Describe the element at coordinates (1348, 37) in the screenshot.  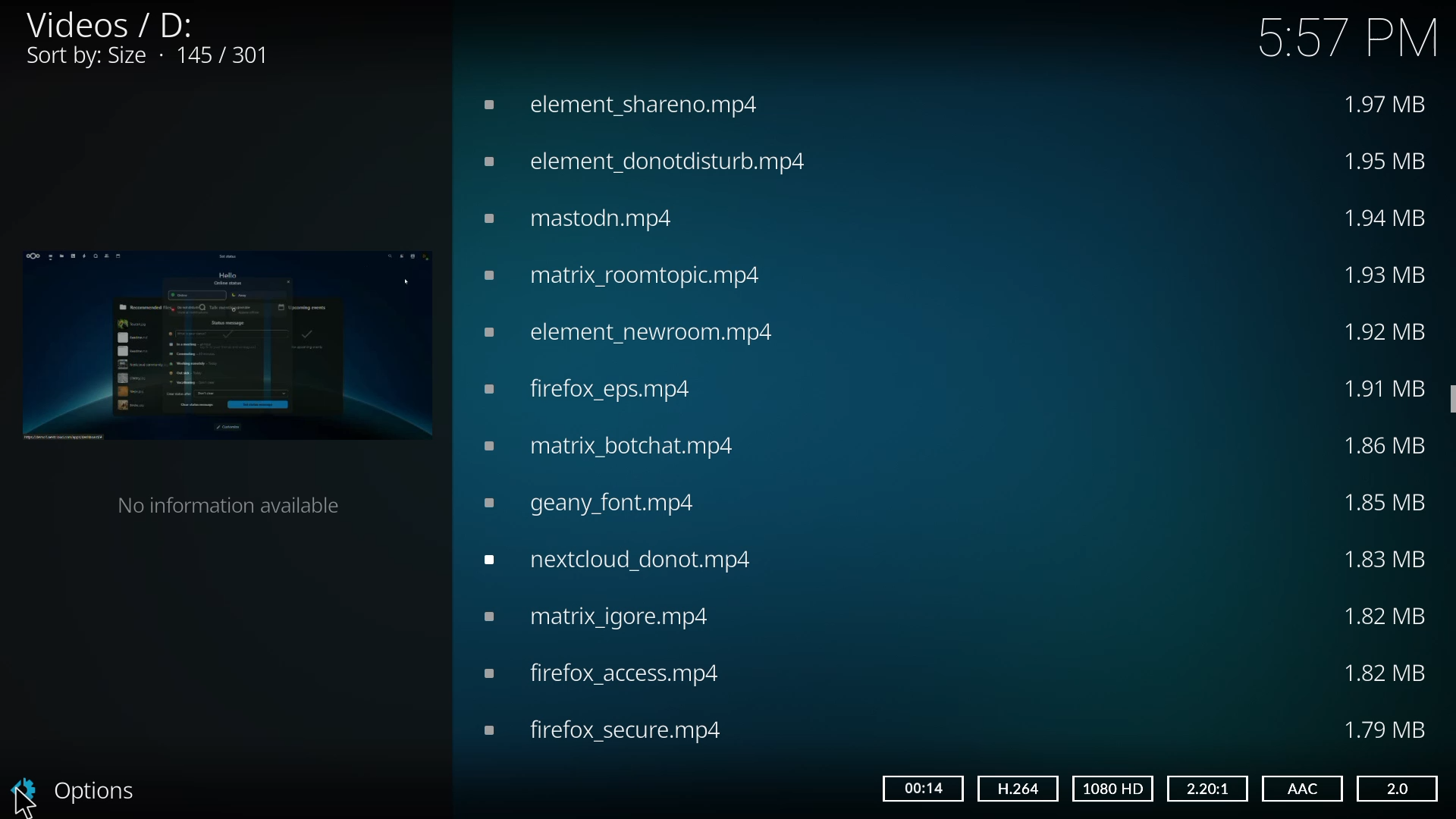
I see `time` at that location.